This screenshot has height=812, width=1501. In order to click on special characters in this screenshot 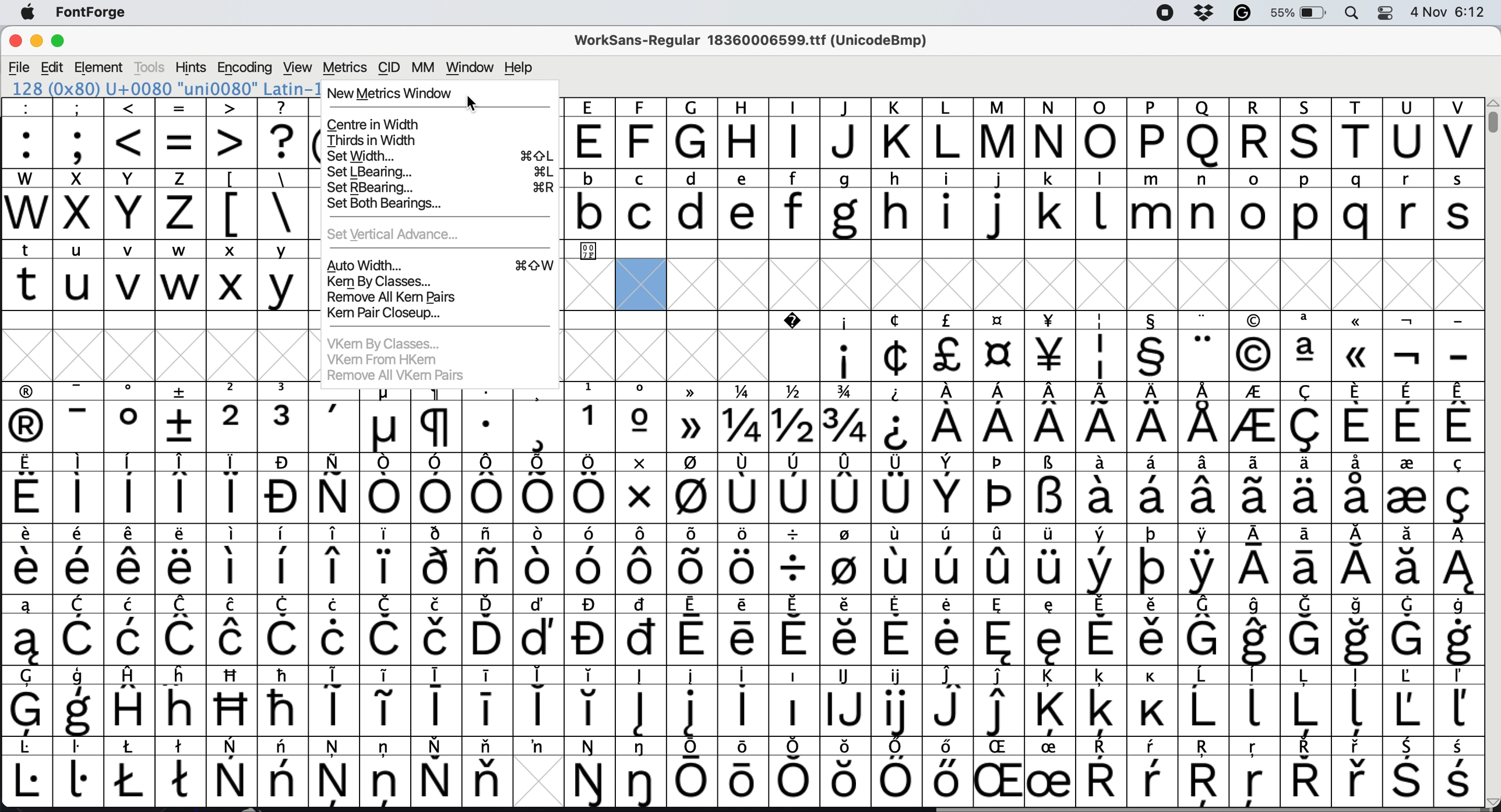, I will do `click(160, 105)`.